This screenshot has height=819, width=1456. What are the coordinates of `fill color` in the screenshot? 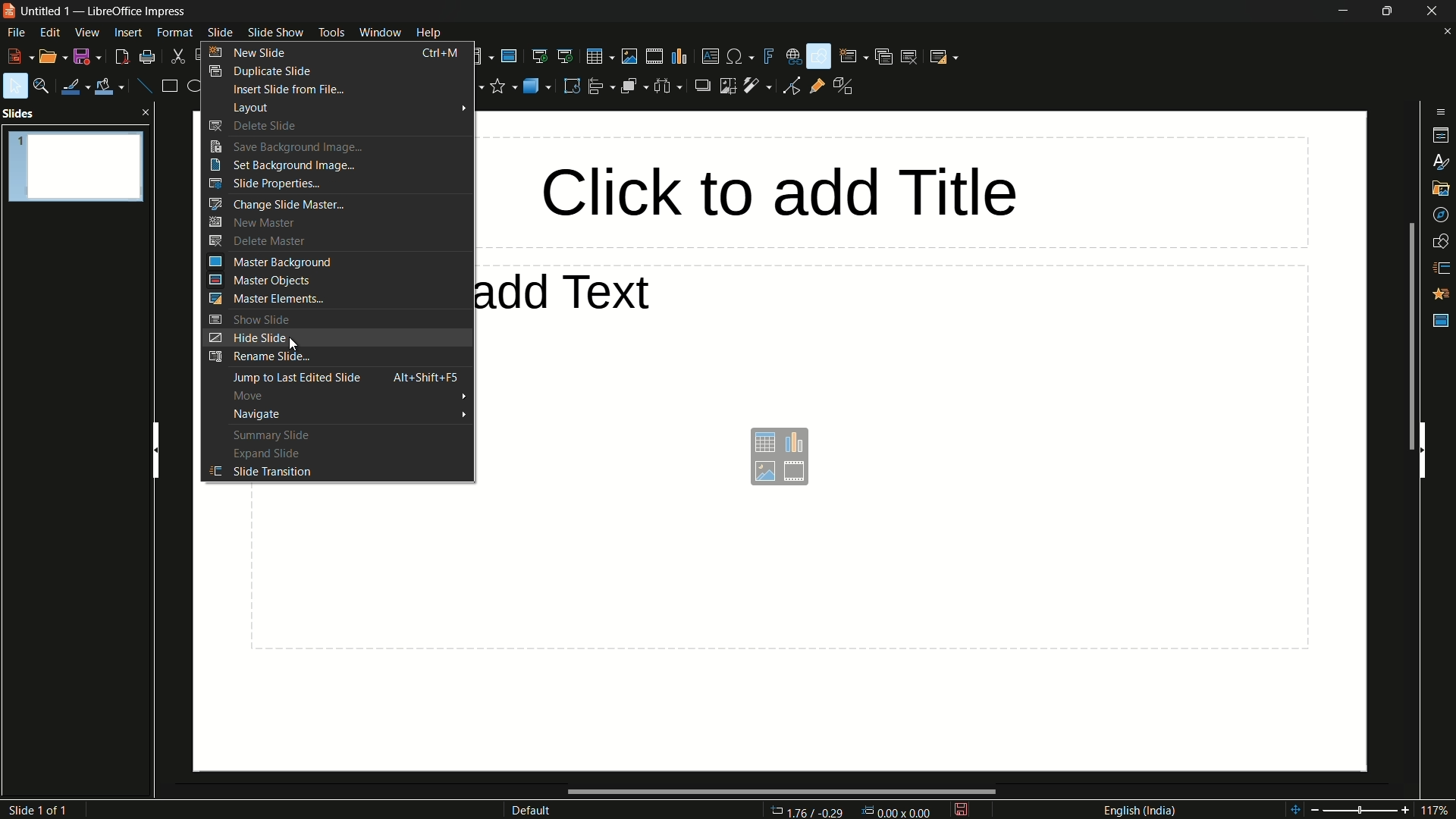 It's located at (110, 86).